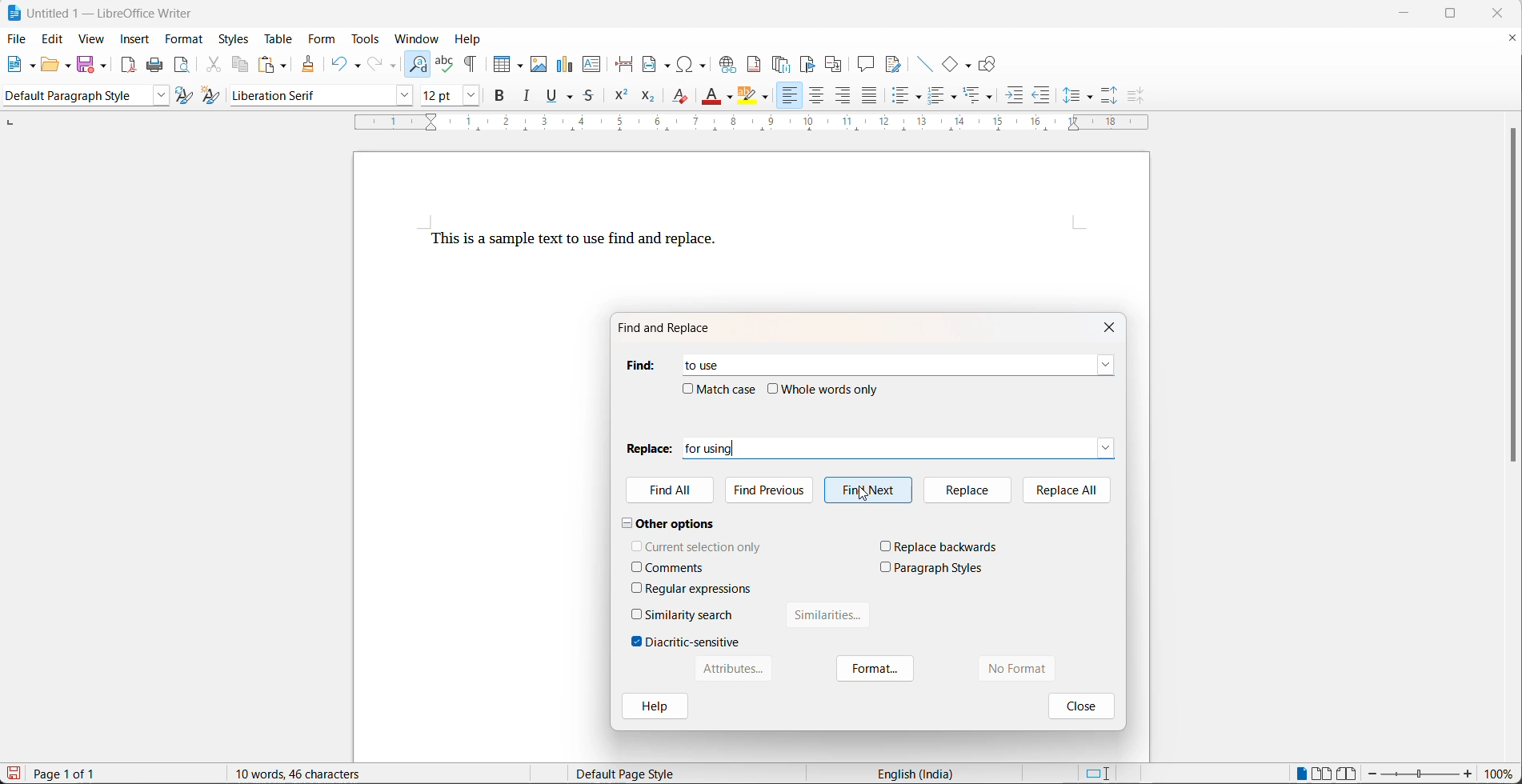  Describe the element at coordinates (773, 488) in the screenshot. I see `find previous` at that location.